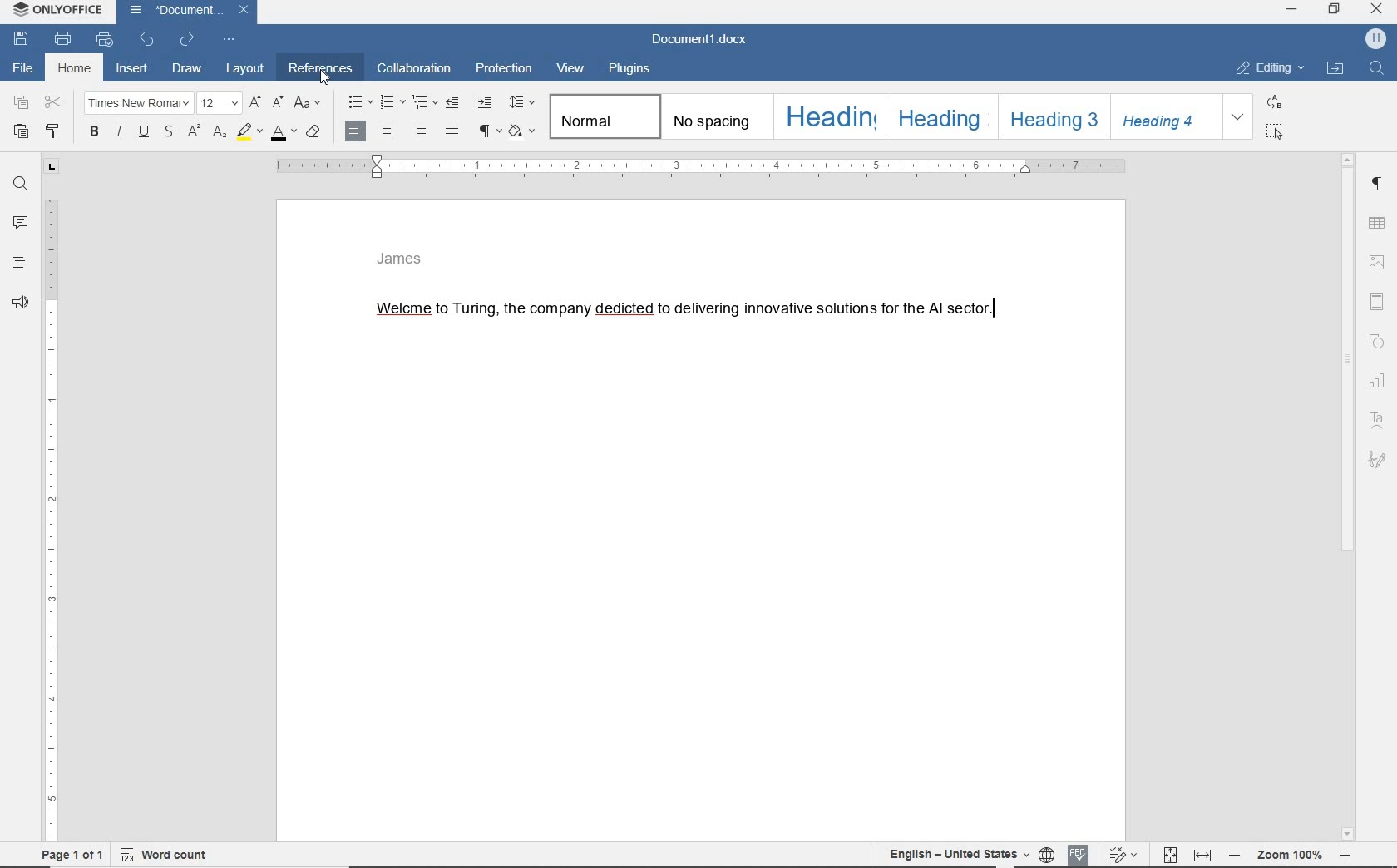 The height and width of the screenshot is (868, 1397). What do you see at coordinates (324, 80) in the screenshot?
I see `mouse pointer` at bounding box center [324, 80].